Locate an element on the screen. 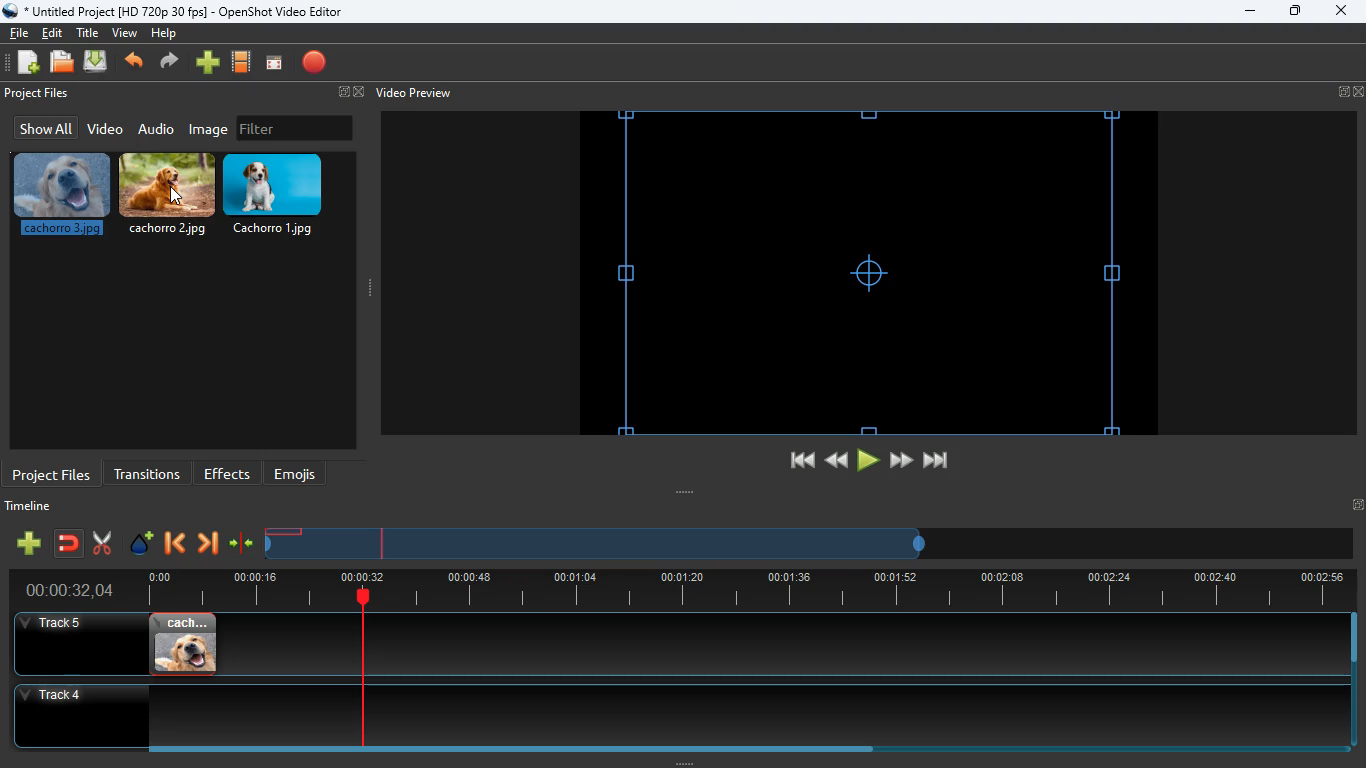 Image resolution: width=1366 pixels, height=768 pixels. files is located at coordinates (63, 63).